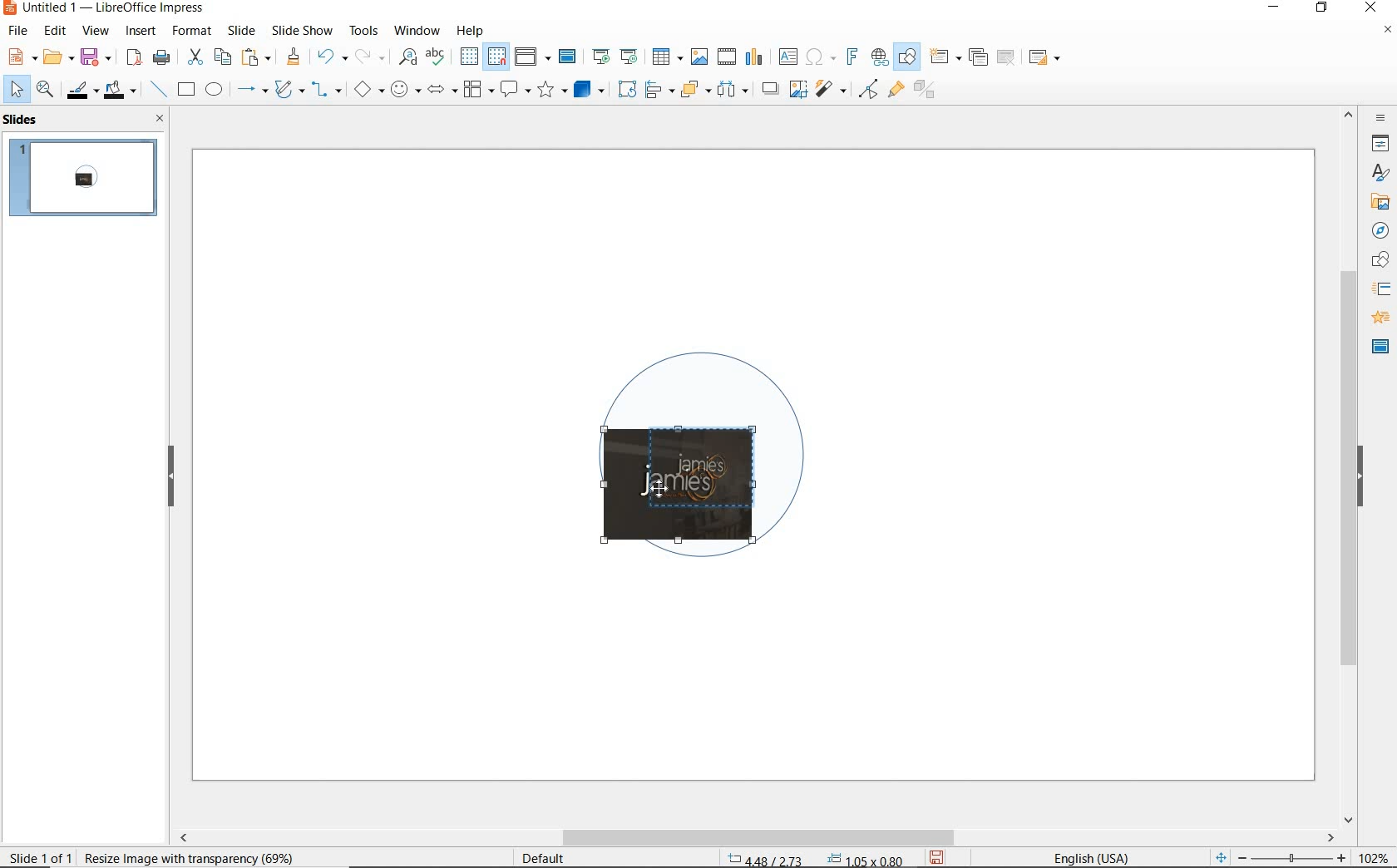 This screenshot has width=1397, height=868. Describe the element at coordinates (868, 86) in the screenshot. I see `filter` at that location.